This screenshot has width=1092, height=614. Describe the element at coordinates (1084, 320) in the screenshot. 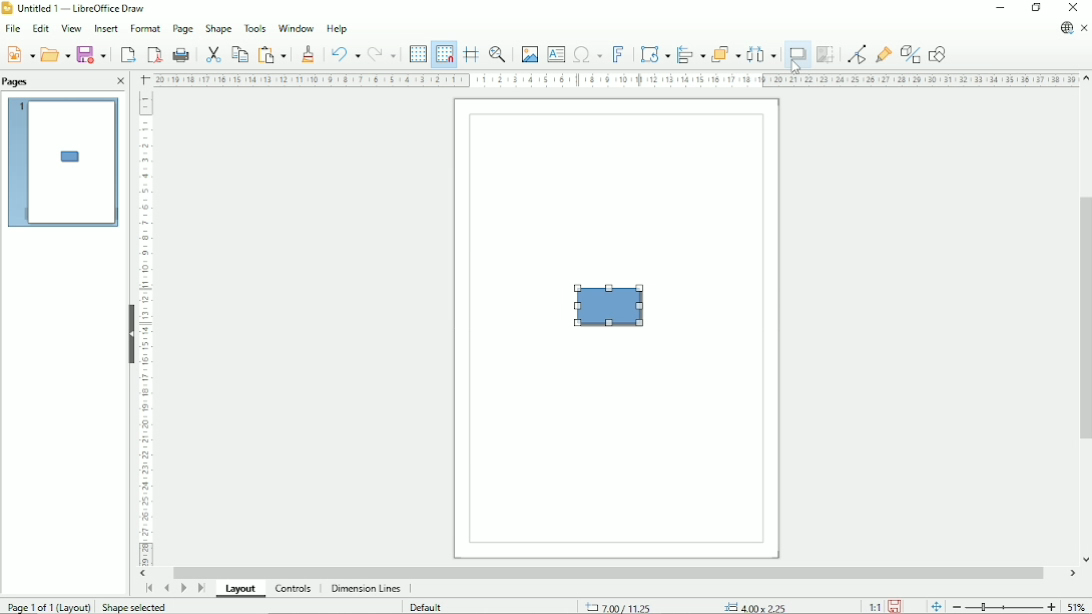

I see `Vertical scrollbar` at that location.